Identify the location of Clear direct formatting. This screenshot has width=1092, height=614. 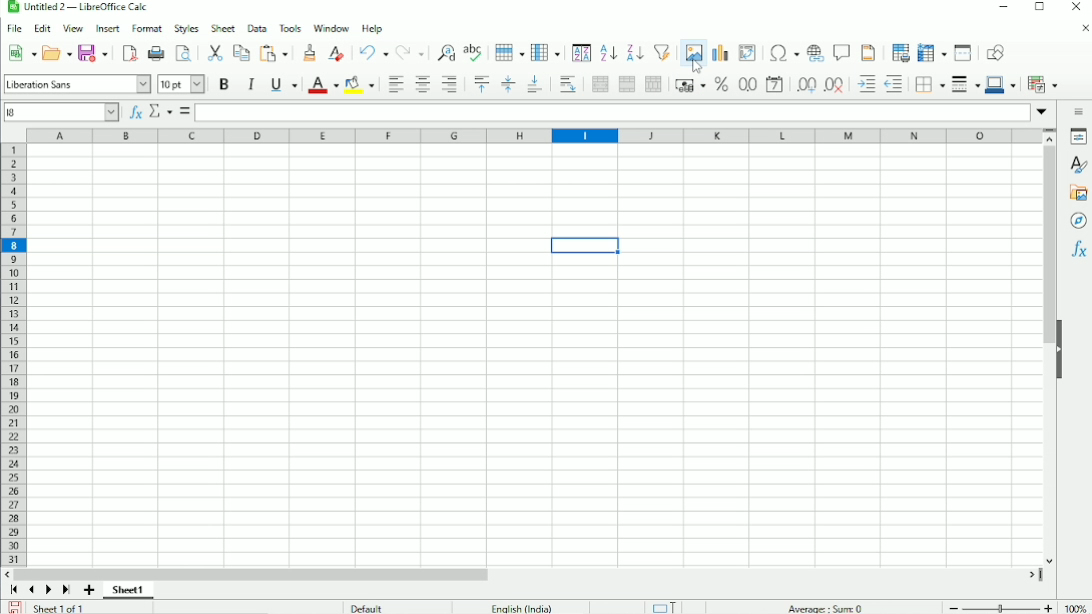
(335, 52).